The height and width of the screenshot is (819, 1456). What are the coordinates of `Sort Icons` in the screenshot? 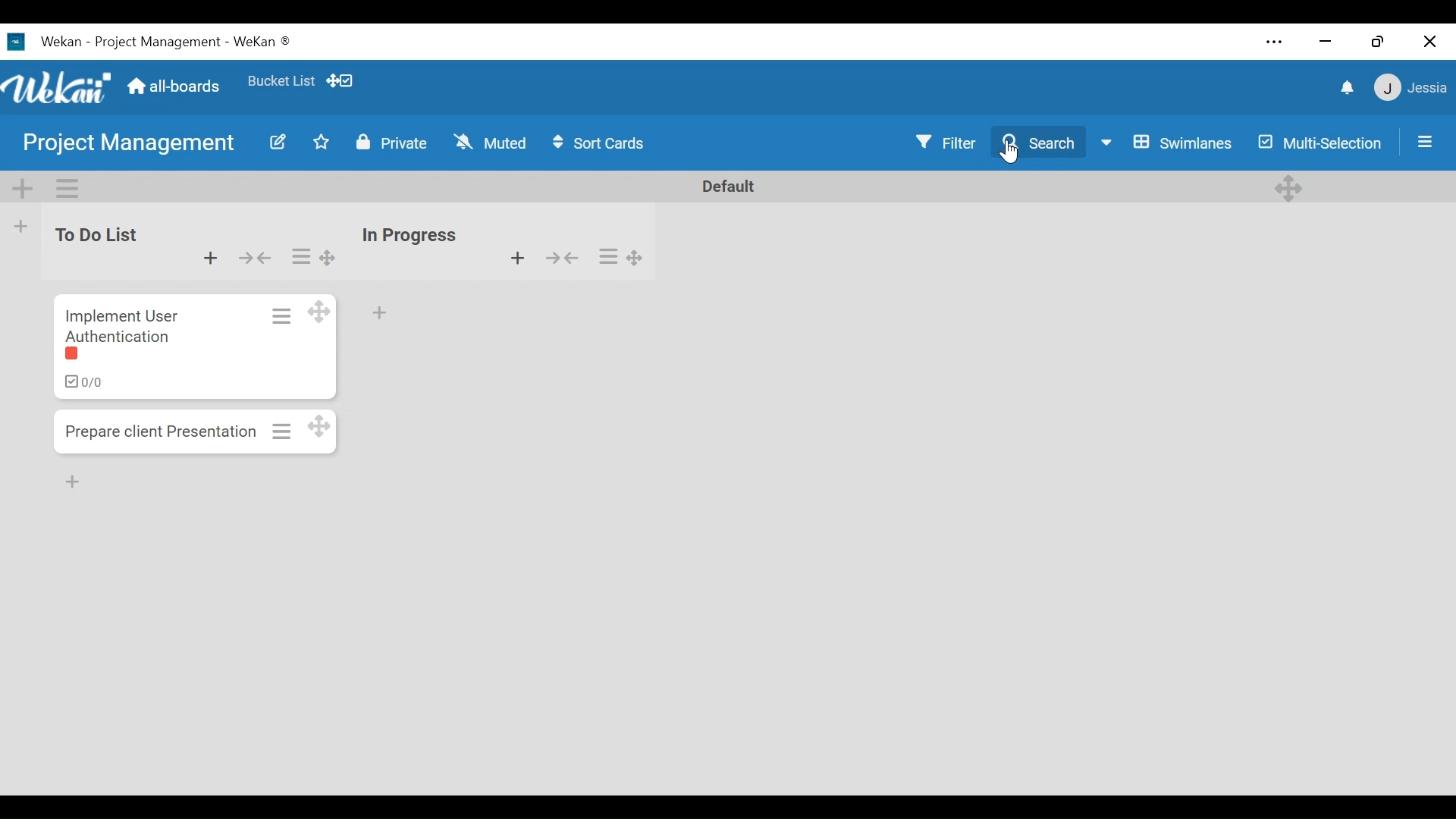 It's located at (602, 144).